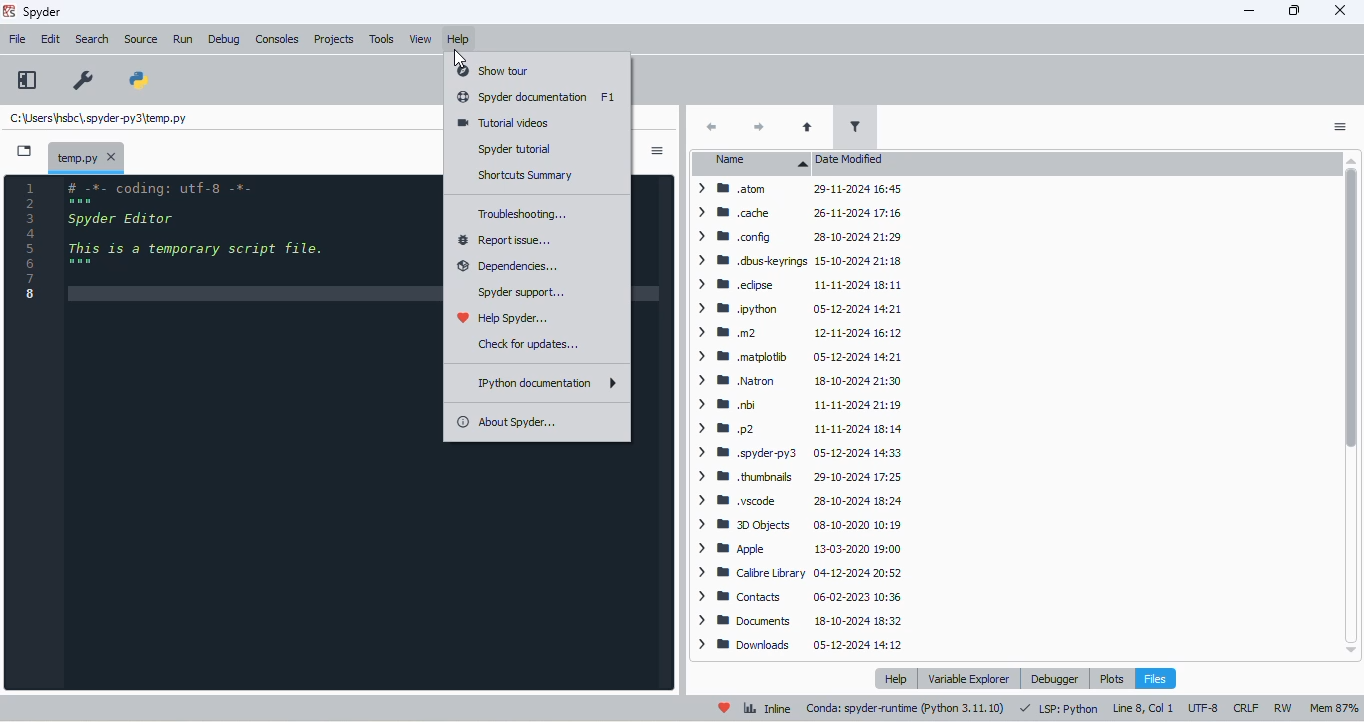 The width and height of the screenshot is (1364, 722). What do you see at coordinates (970, 678) in the screenshot?
I see `variable explorer` at bounding box center [970, 678].